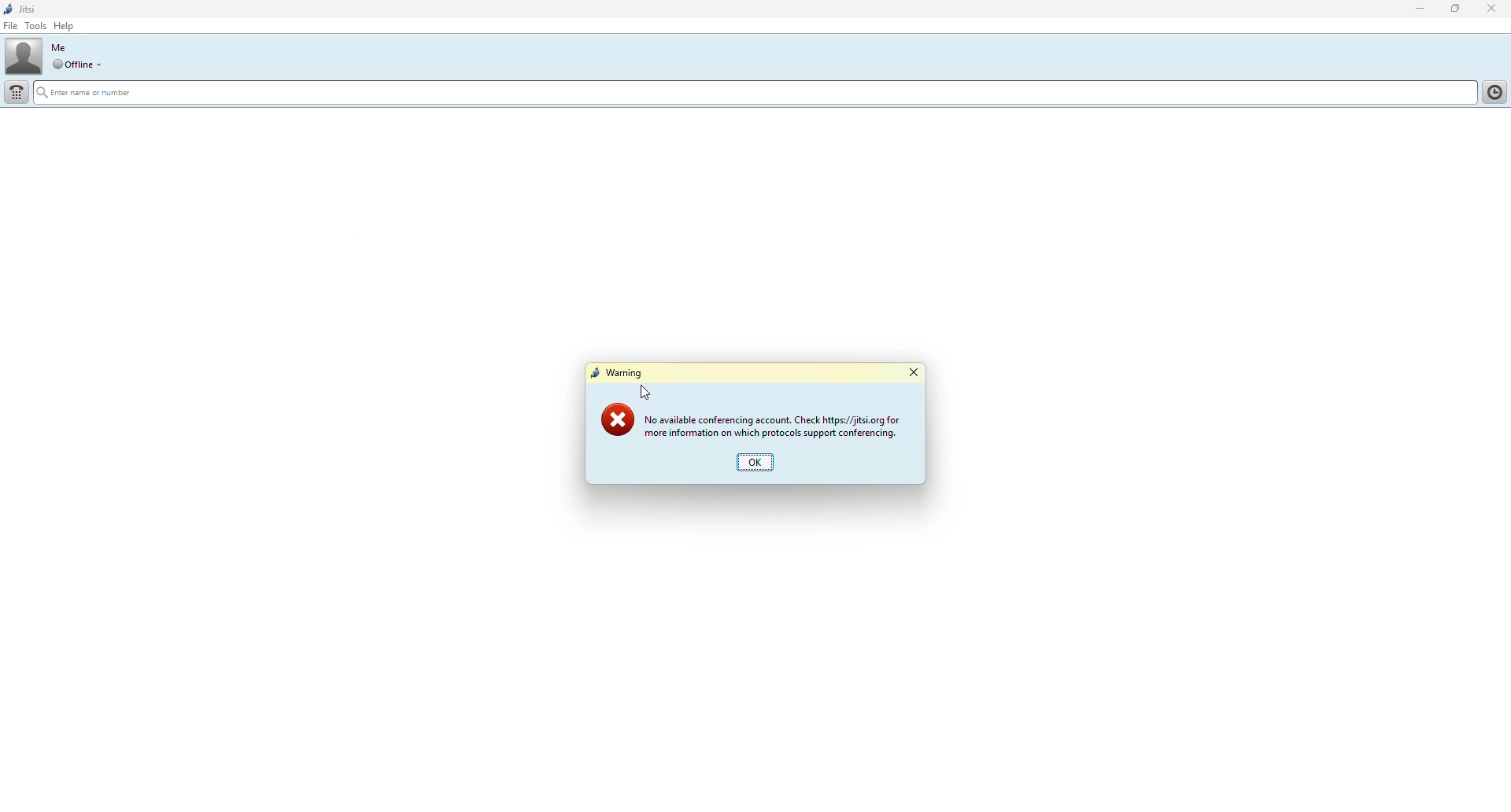 This screenshot has width=1511, height=812. What do you see at coordinates (101, 93) in the screenshot?
I see `Enter name or number` at bounding box center [101, 93].